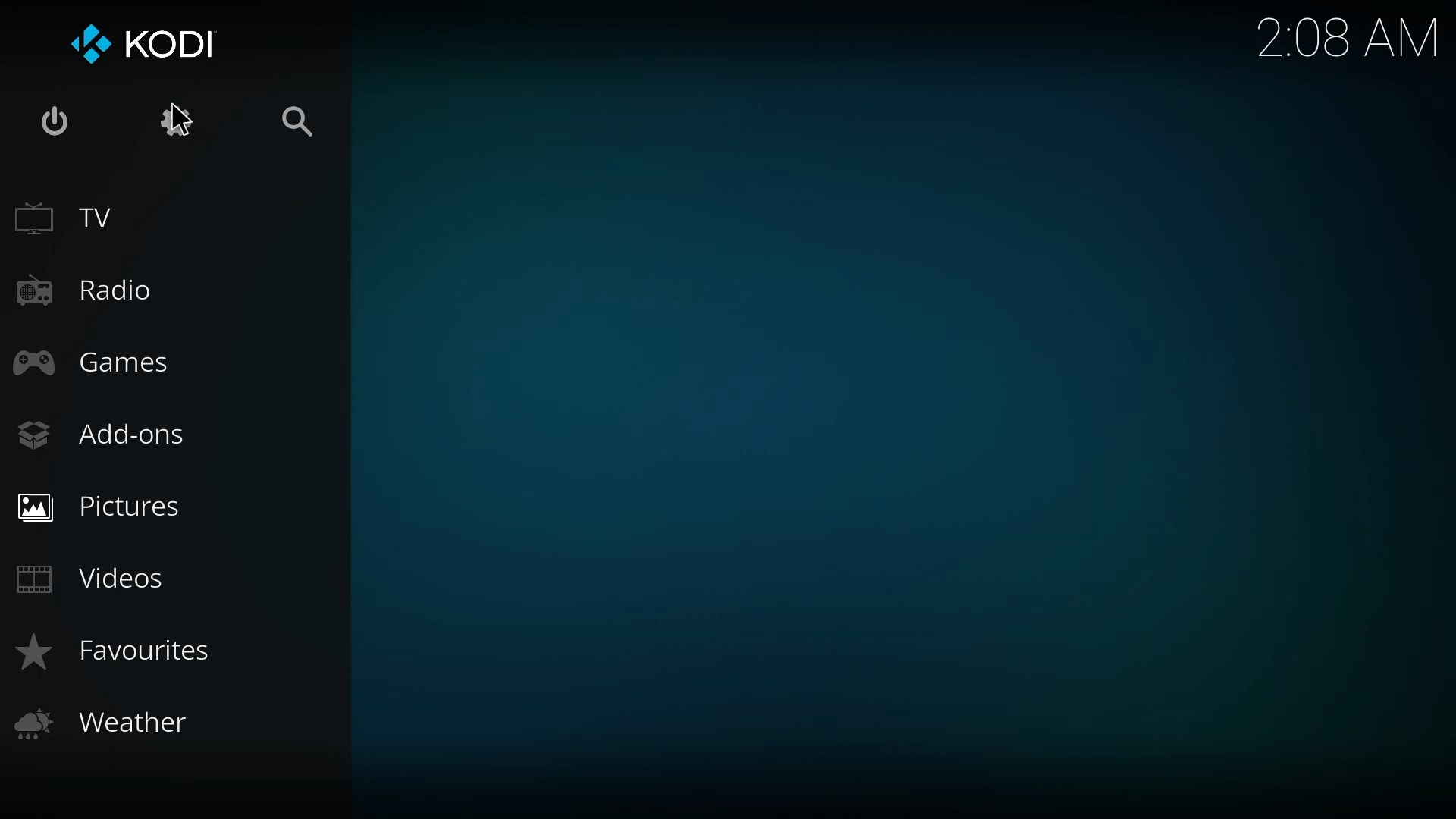  What do you see at coordinates (108, 723) in the screenshot?
I see `weather` at bounding box center [108, 723].